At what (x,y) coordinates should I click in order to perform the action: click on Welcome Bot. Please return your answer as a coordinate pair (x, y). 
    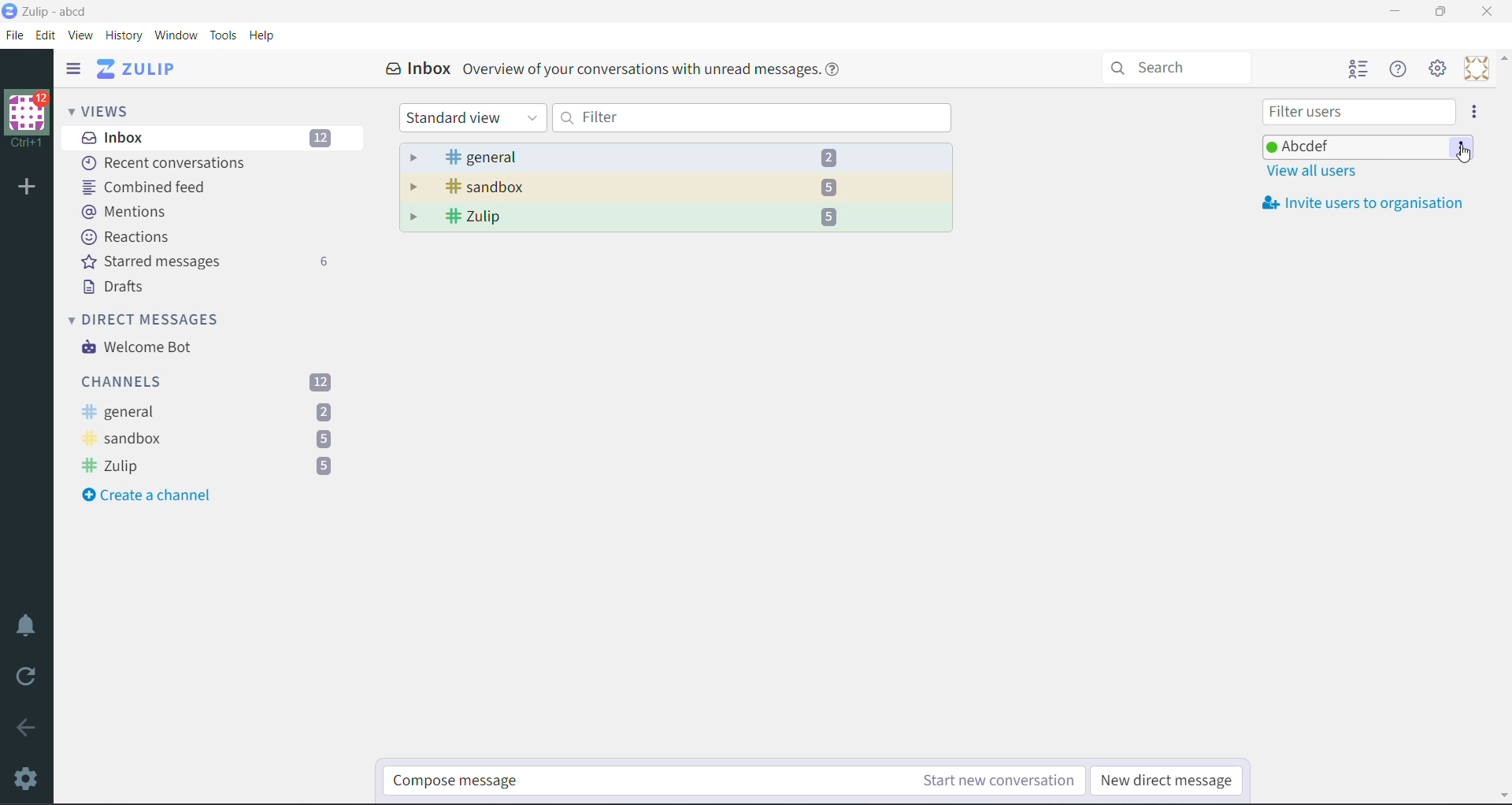
    Looking at the image, I should click on (136, 348).